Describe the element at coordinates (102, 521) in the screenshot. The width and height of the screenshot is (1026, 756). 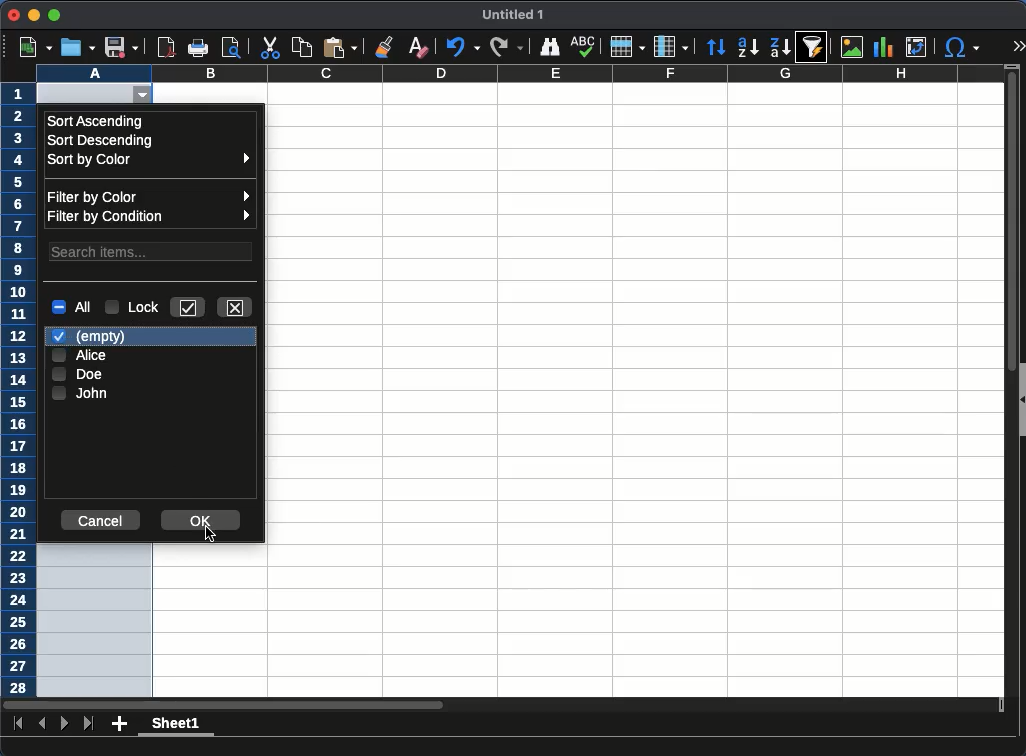
I see `cancel` at that location.